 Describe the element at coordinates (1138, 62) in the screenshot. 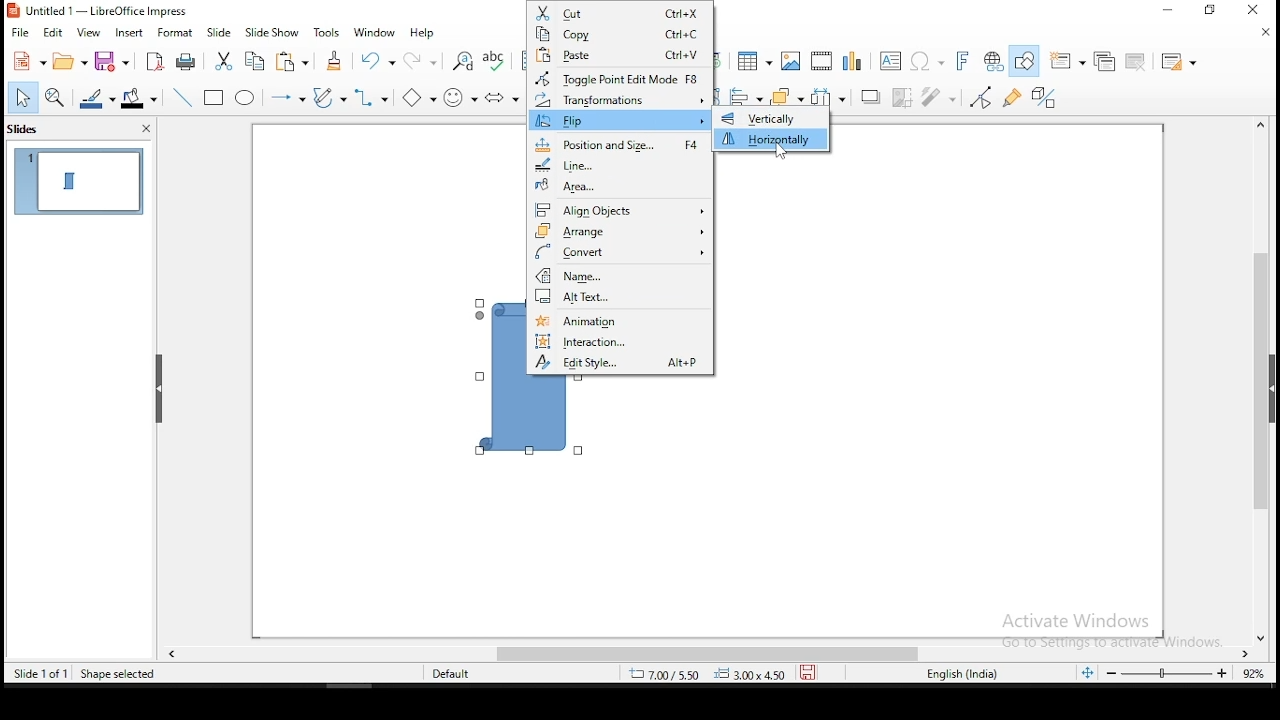

I see `delete slide` at that location.